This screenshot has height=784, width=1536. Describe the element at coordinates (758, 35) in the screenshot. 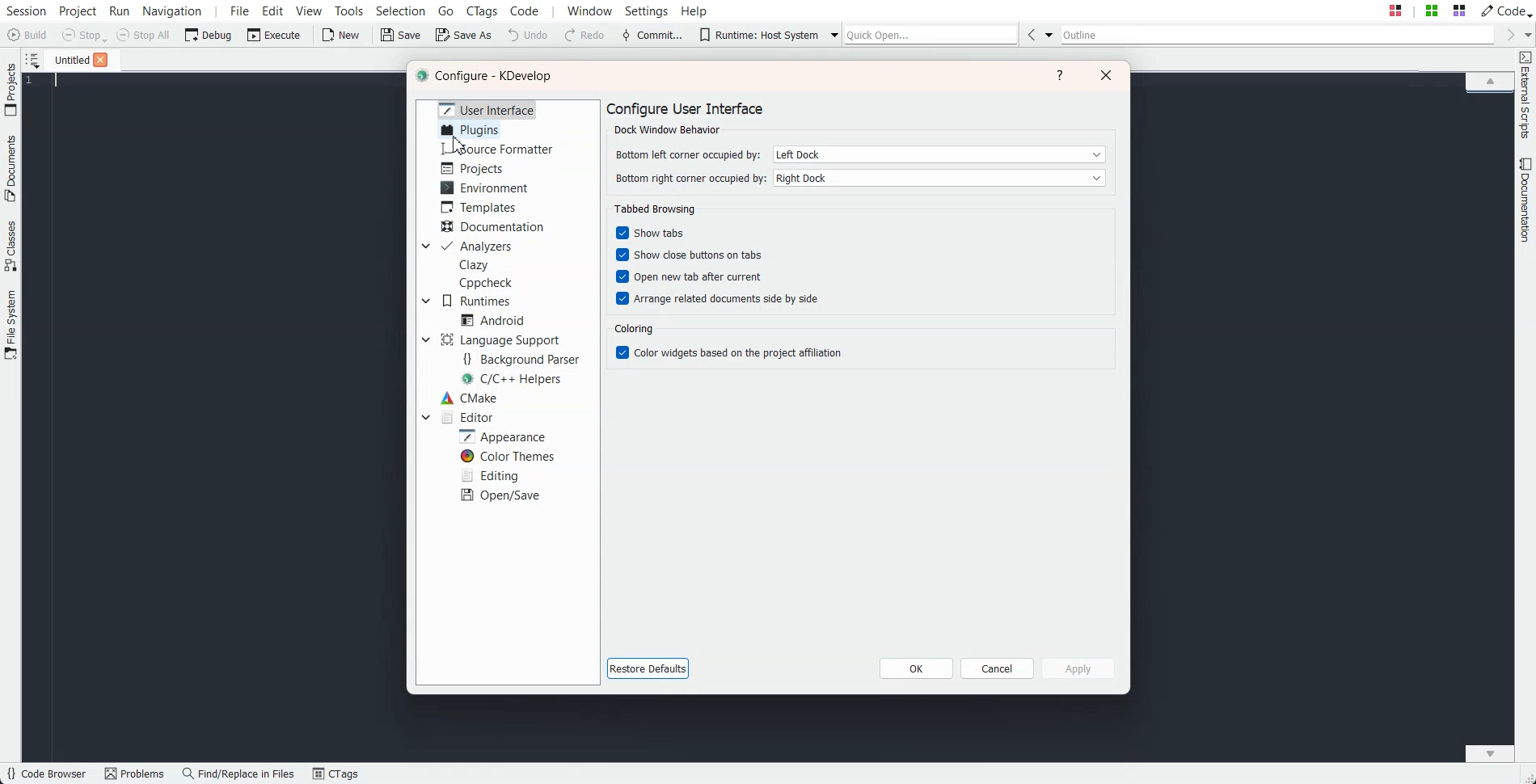

I see `Runtime: Host System` at that location.